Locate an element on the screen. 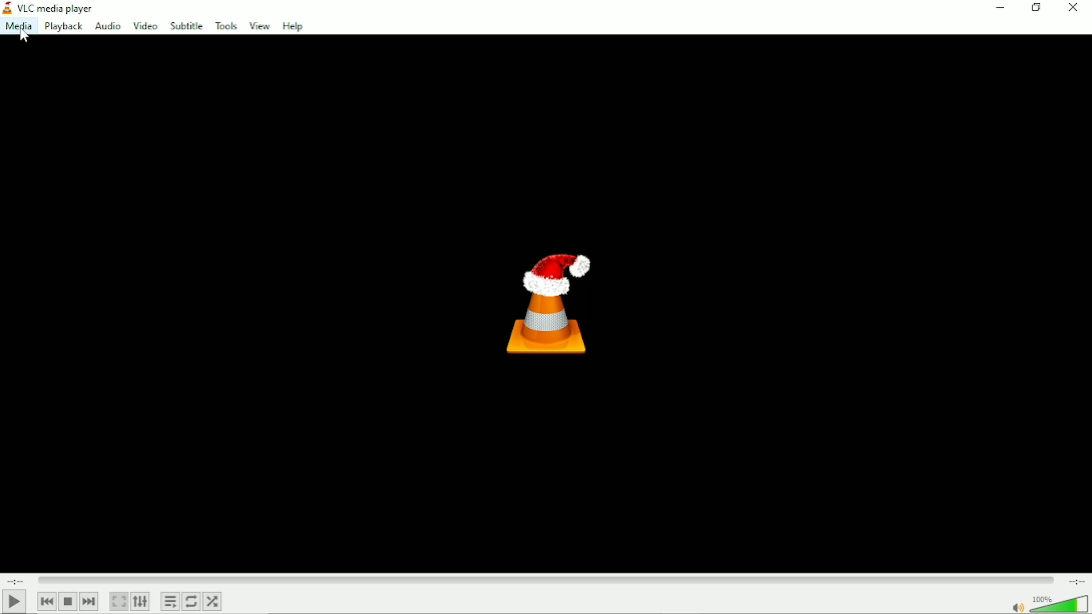  Next is located at coordinates (90, 601).